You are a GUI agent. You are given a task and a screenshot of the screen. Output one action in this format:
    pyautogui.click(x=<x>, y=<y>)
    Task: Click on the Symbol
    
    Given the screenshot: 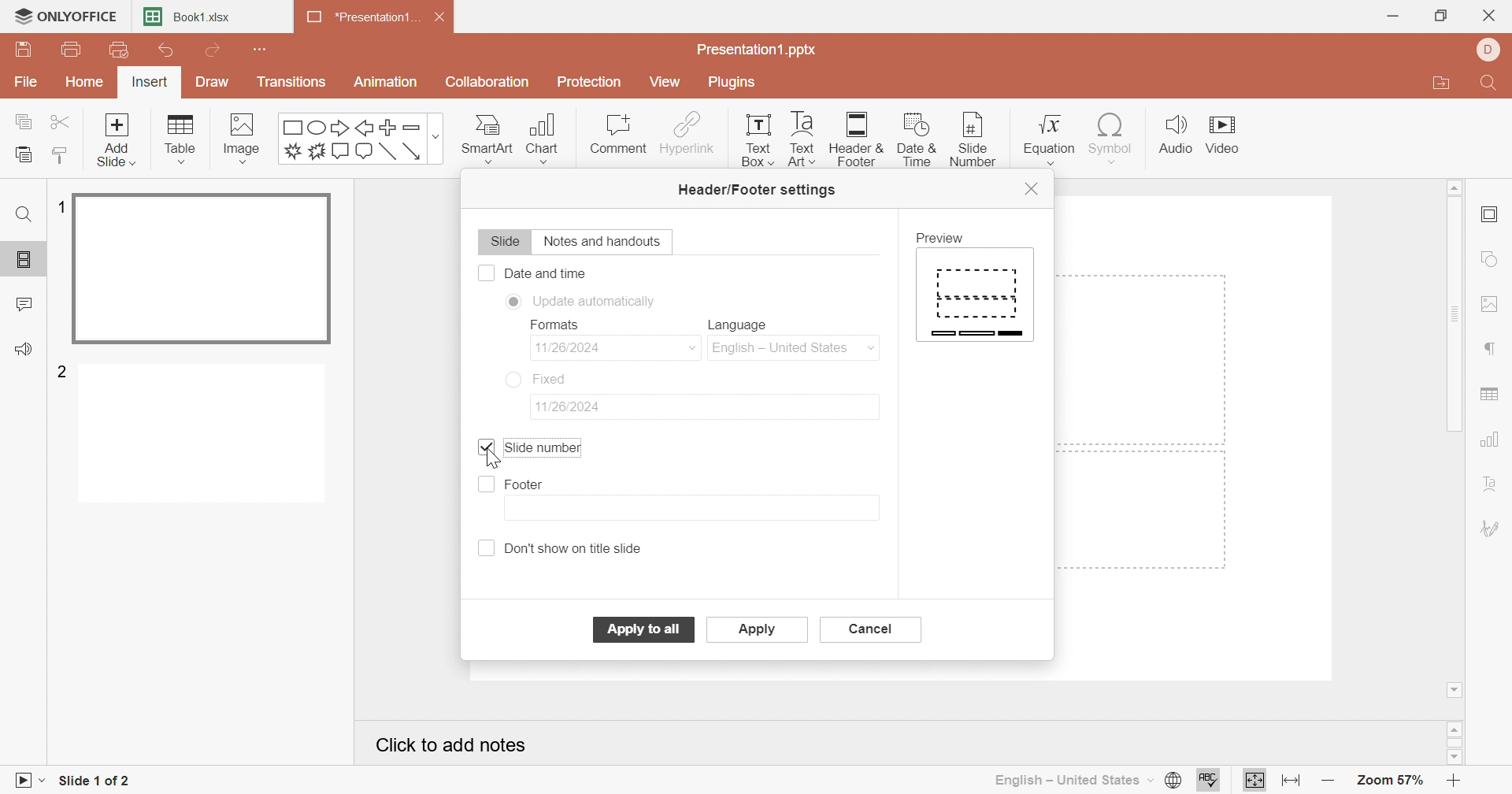 What is the action you would take?
    pyautogui.click(x=1107, y=137)
    